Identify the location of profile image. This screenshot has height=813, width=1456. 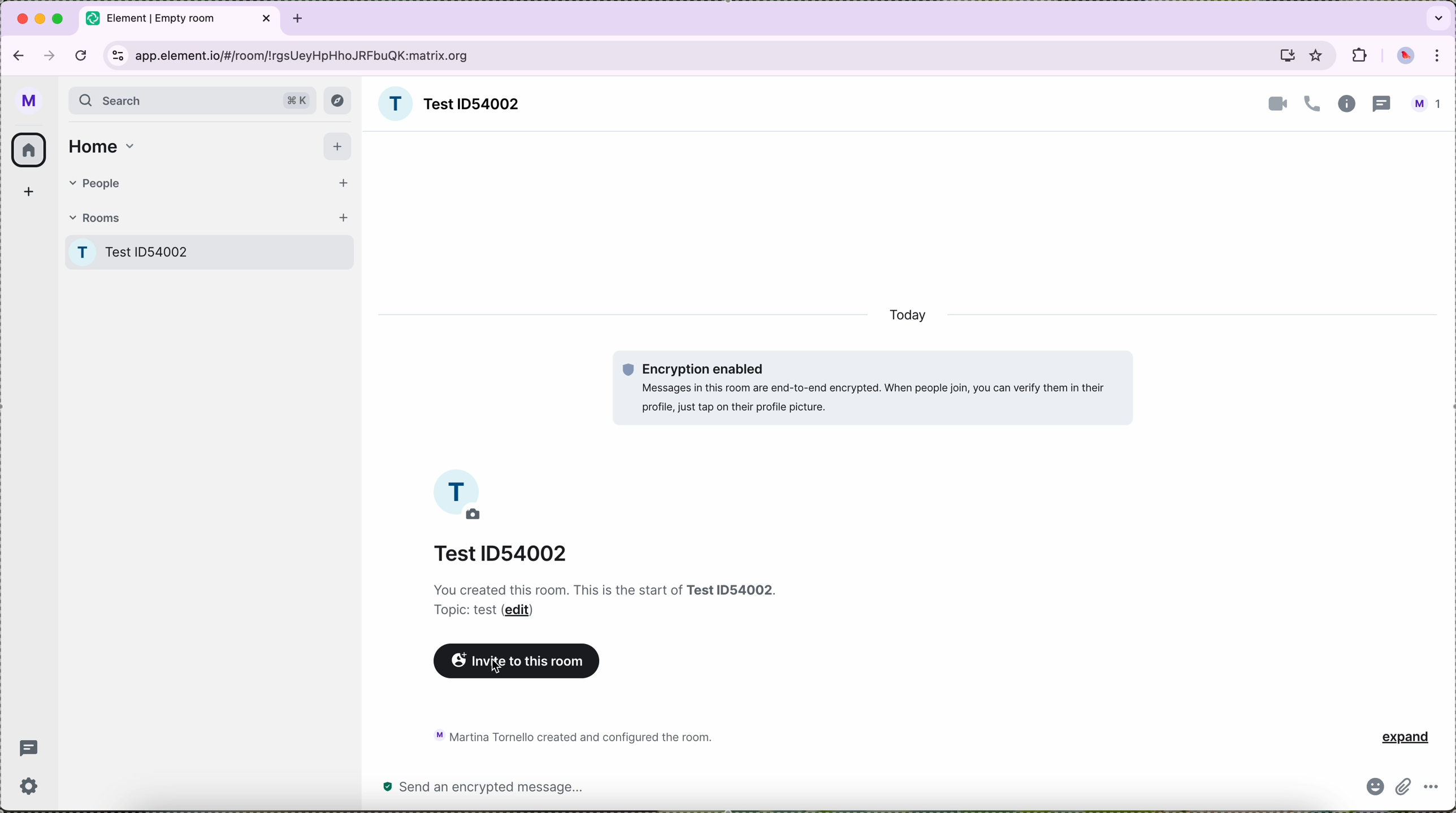
(460, 494).